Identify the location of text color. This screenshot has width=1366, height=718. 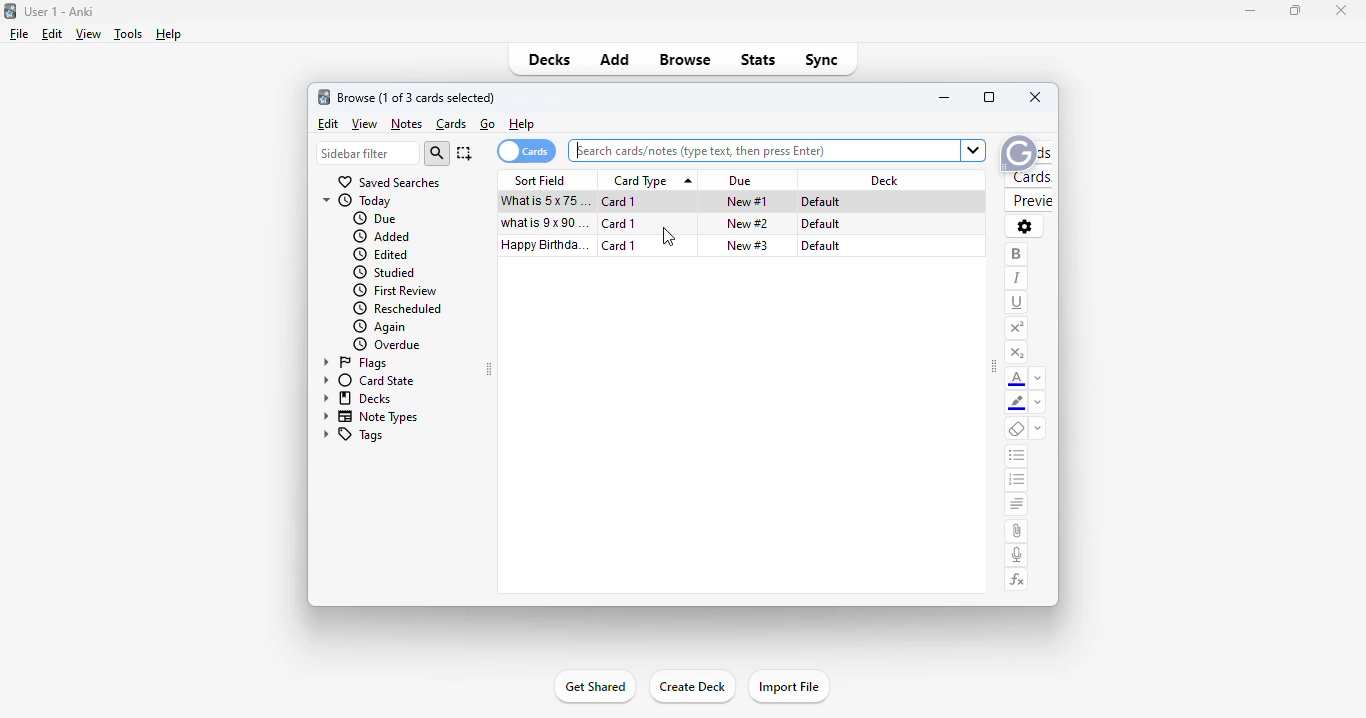
(1019, 378).